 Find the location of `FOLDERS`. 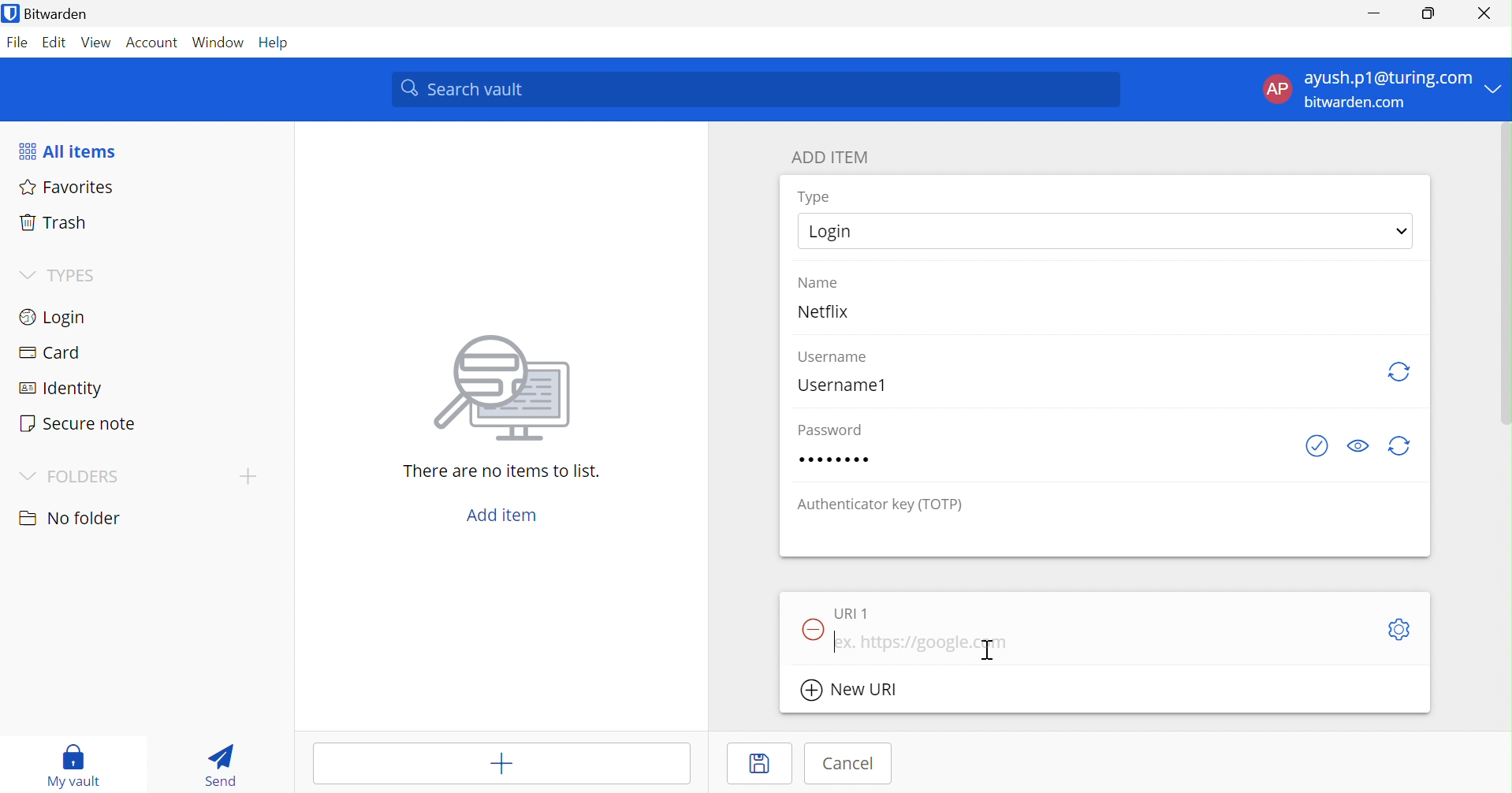

FOLDERS is located at coordinates (67, 478).